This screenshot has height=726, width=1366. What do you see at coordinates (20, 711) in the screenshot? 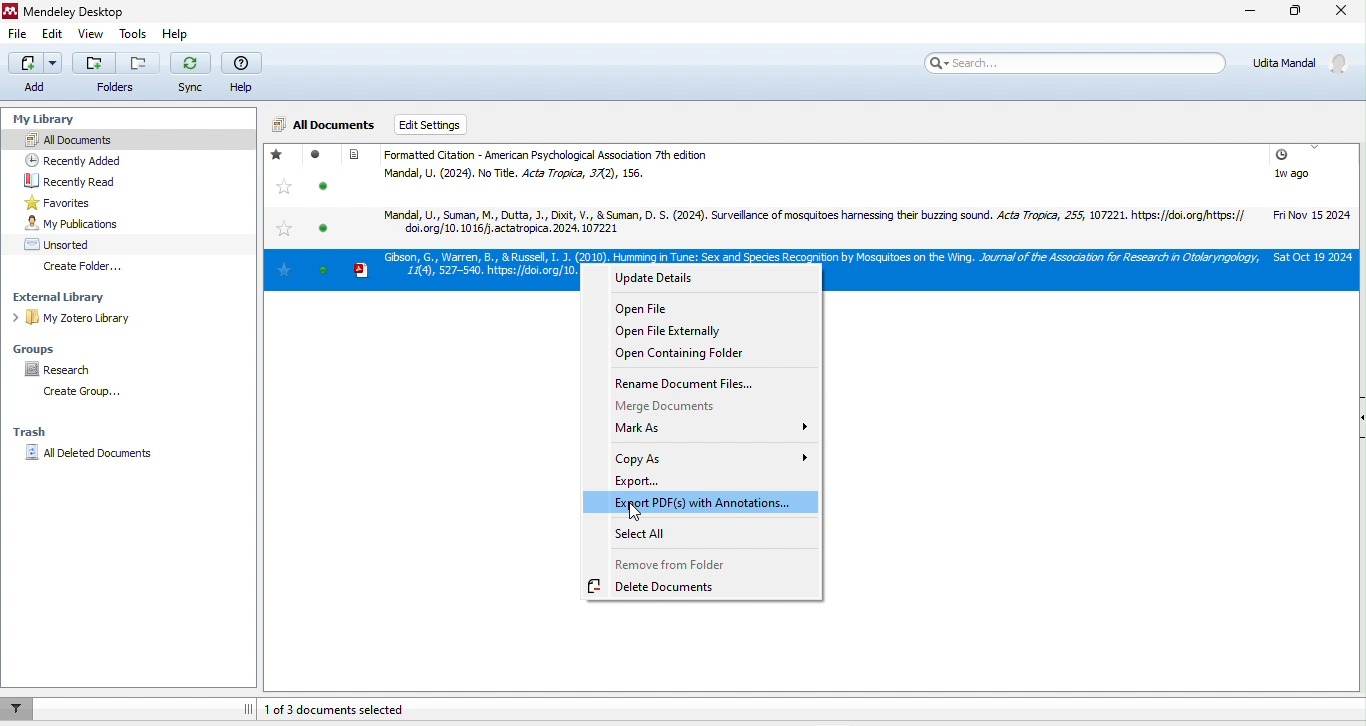
I see `filter` at bounding box center [20, 711].